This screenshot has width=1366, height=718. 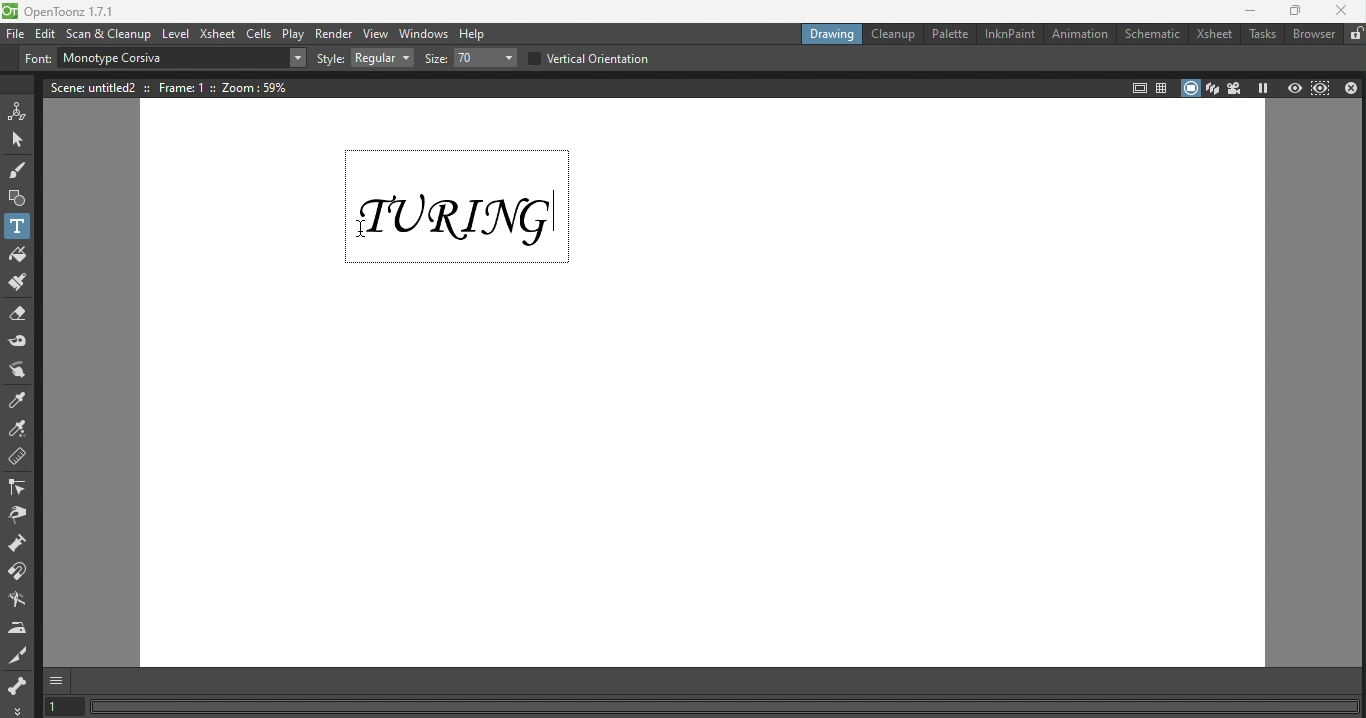 I want to click on Size, so click(x=436, y=58).